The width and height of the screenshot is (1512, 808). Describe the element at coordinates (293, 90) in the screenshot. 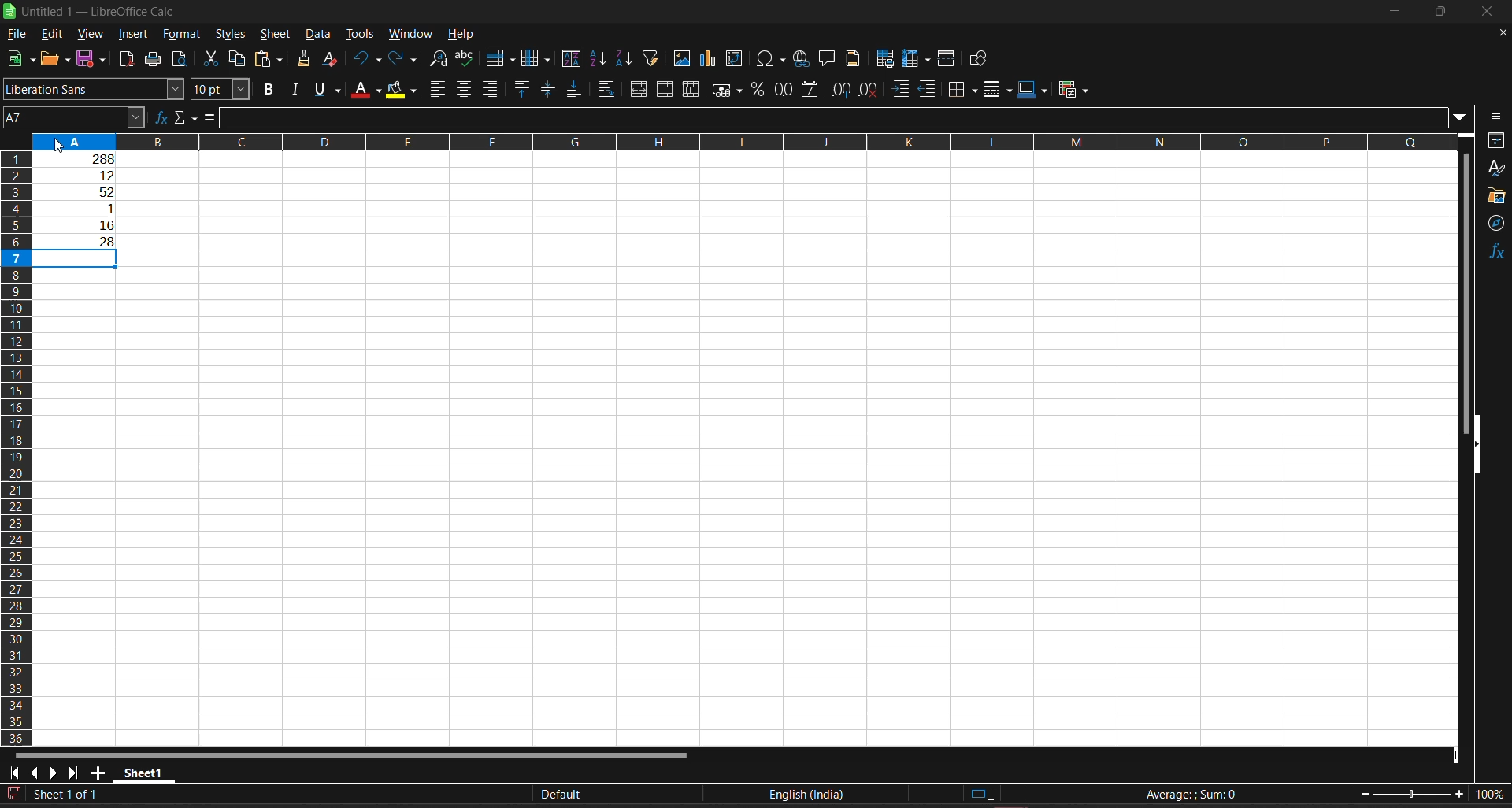

I see `italic` at that location.